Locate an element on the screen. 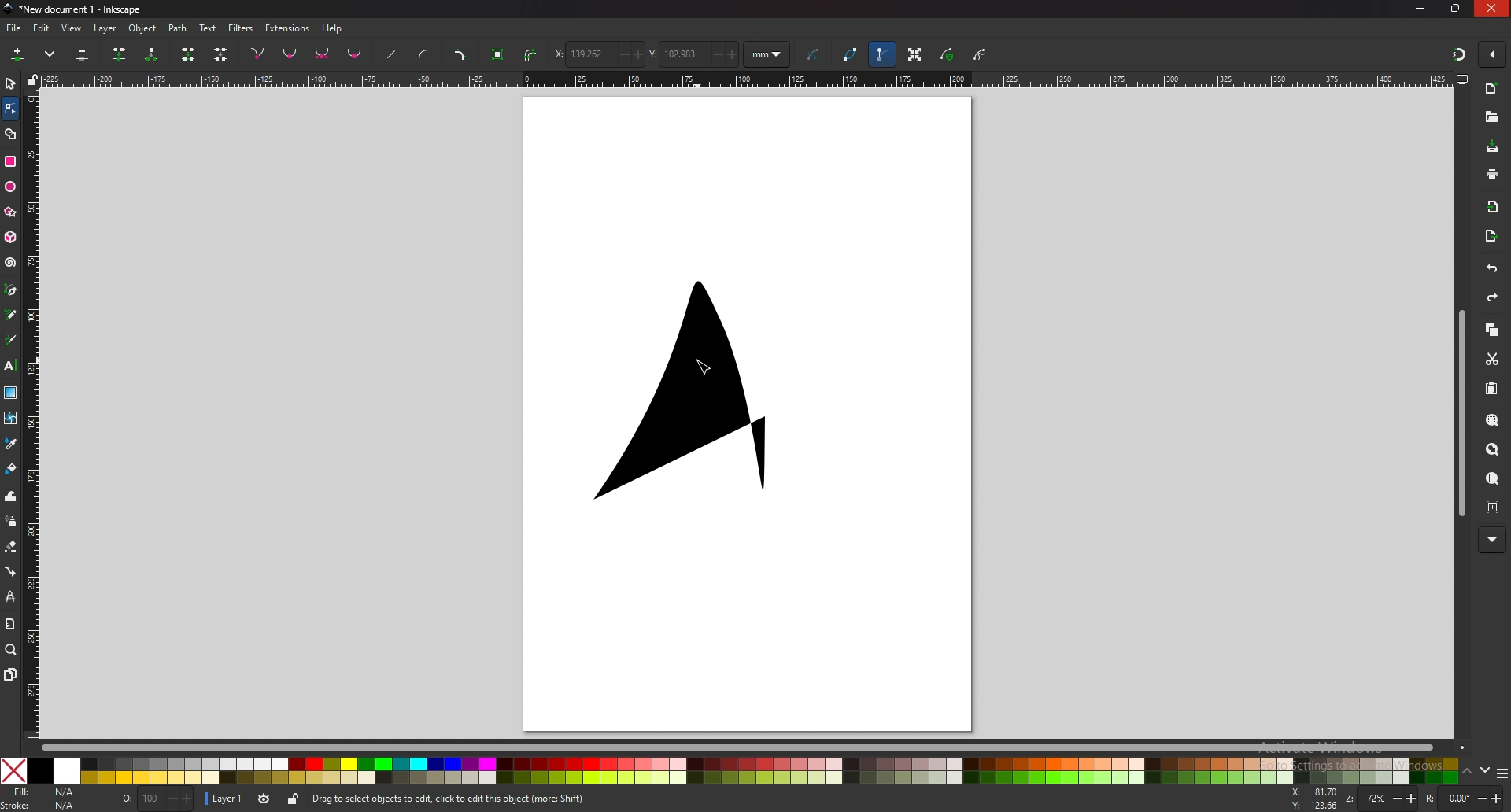  more is located at coordinates (50, 54).